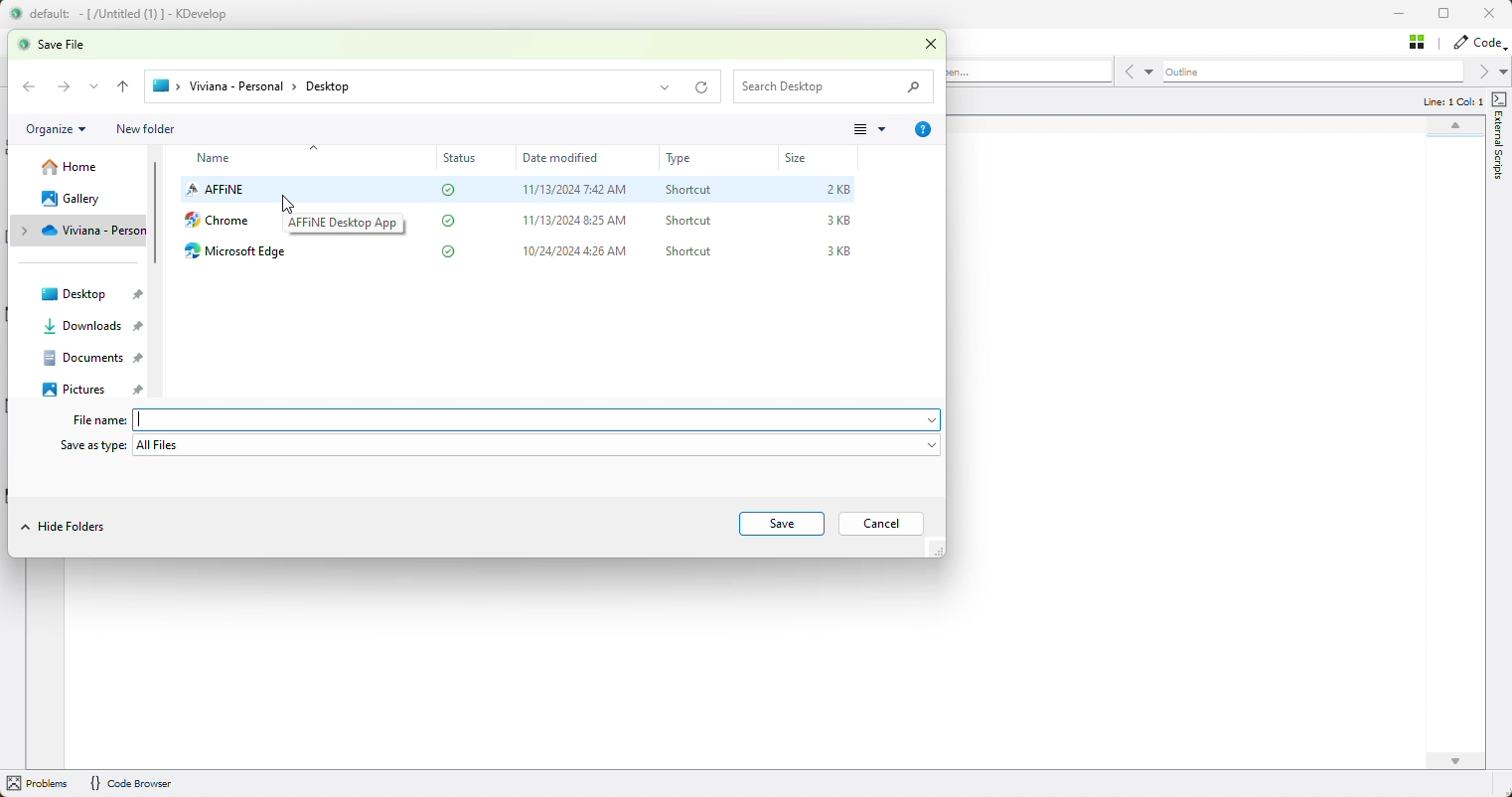 The image size is (1512, 797). Describe the element at coordinates (57, 131) in the screenshot. I see `organize` at that location.